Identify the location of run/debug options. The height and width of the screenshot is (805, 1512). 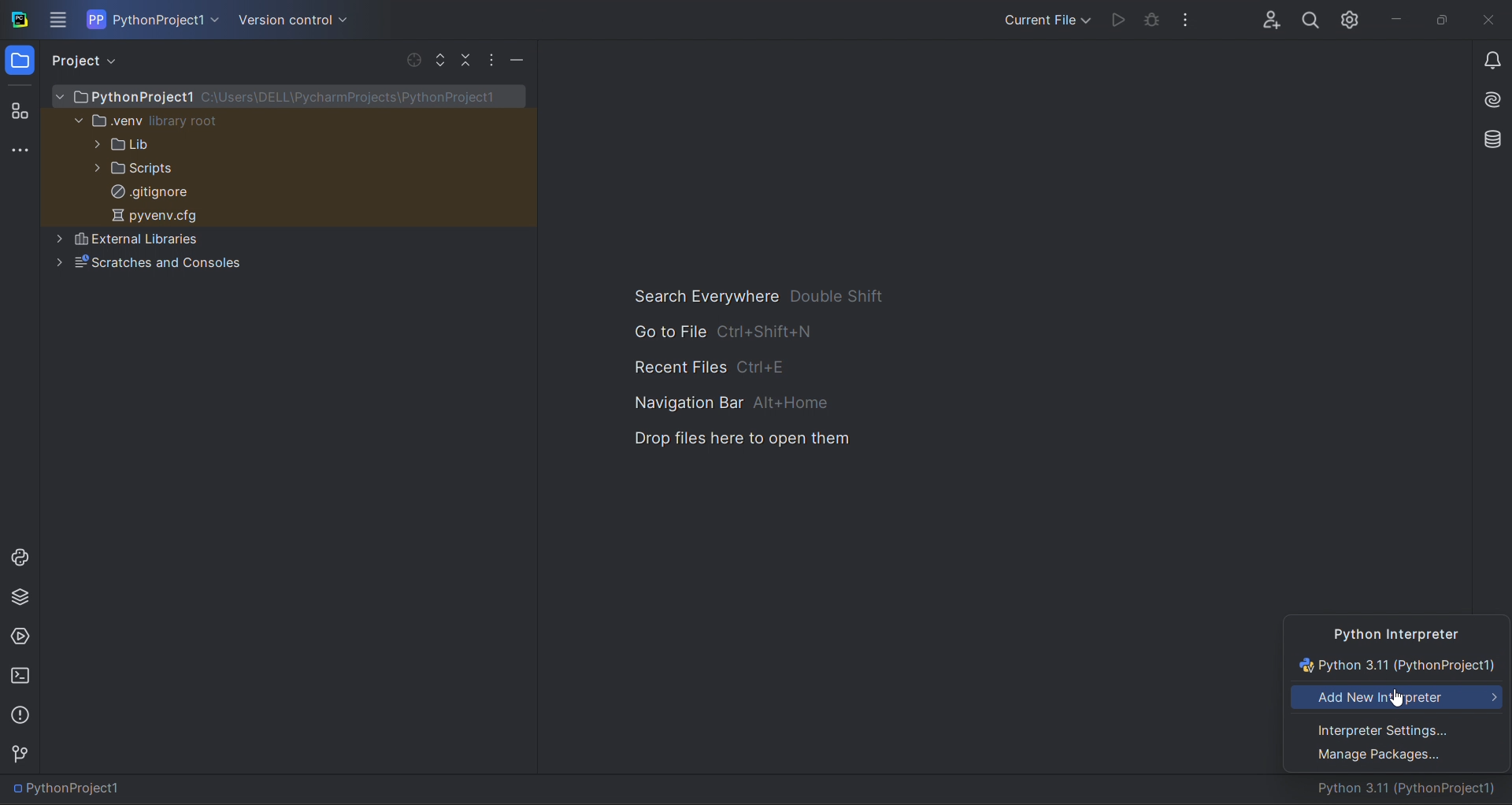
(1044, 18).